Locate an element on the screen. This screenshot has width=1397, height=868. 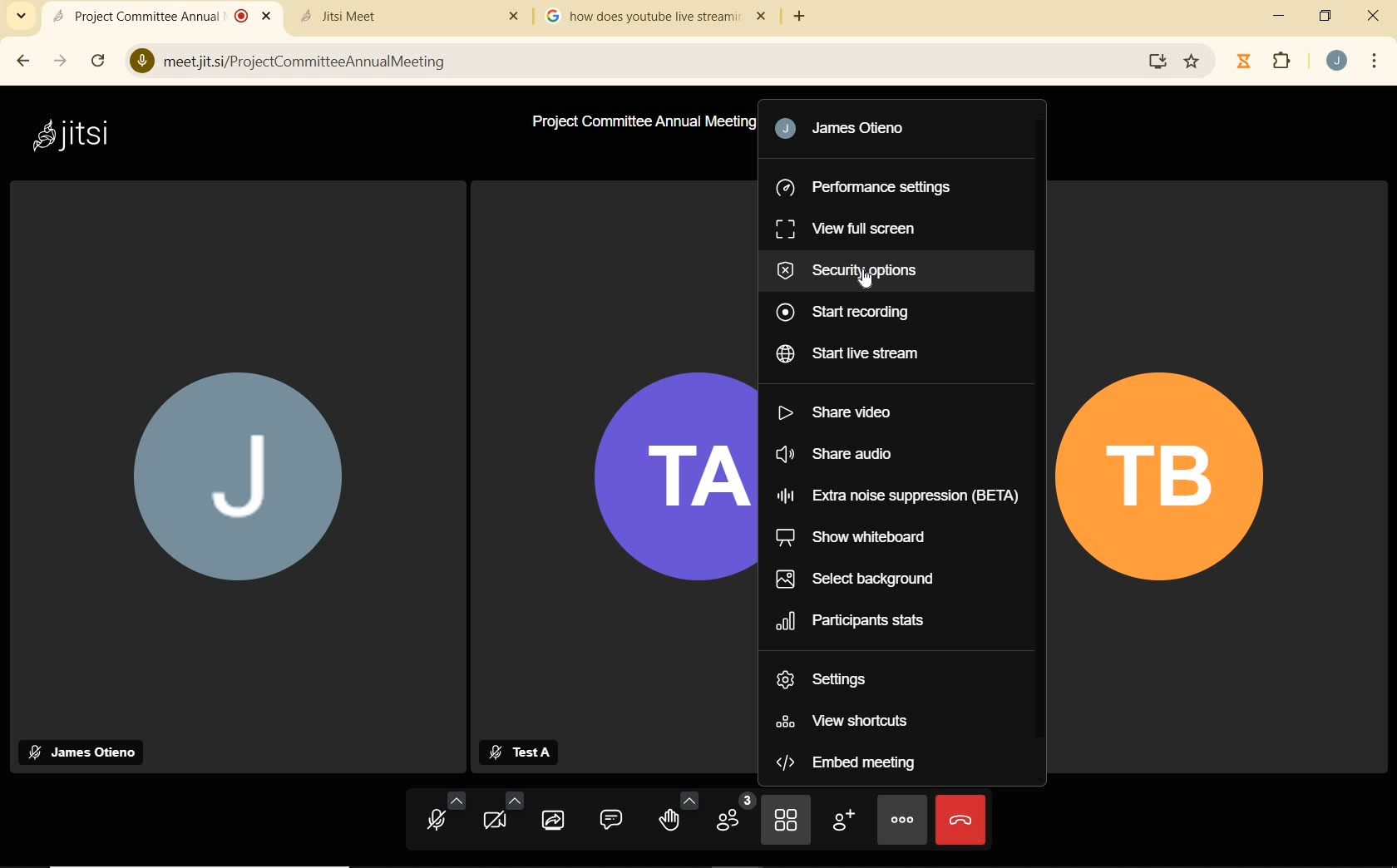
EMBED MEETING is located at coordinates (852, 762).